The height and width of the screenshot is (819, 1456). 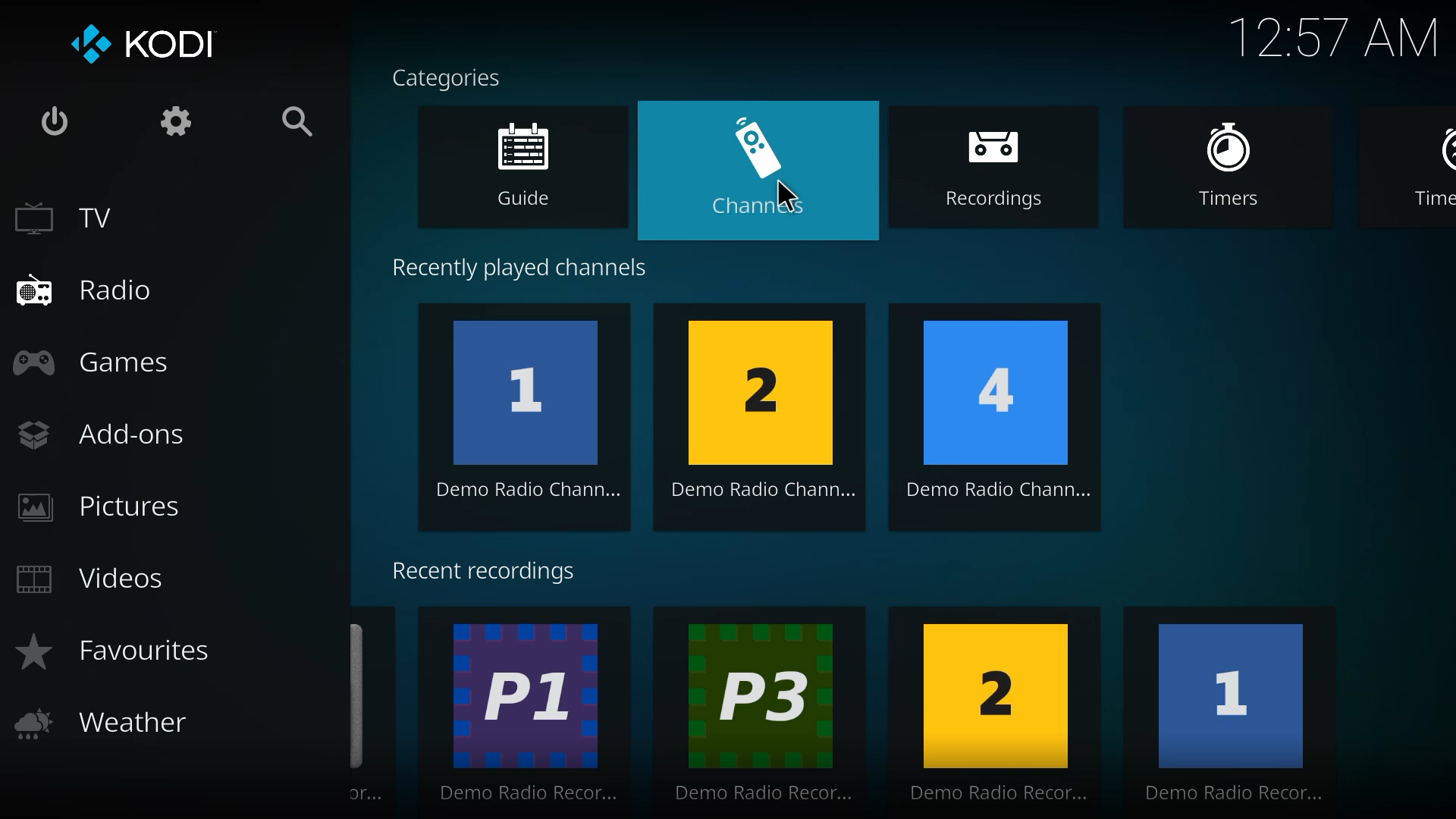 What do you see at coordinates (535, 263) in the screenshot?
I see `recently played` at bounding box center [535, 263].